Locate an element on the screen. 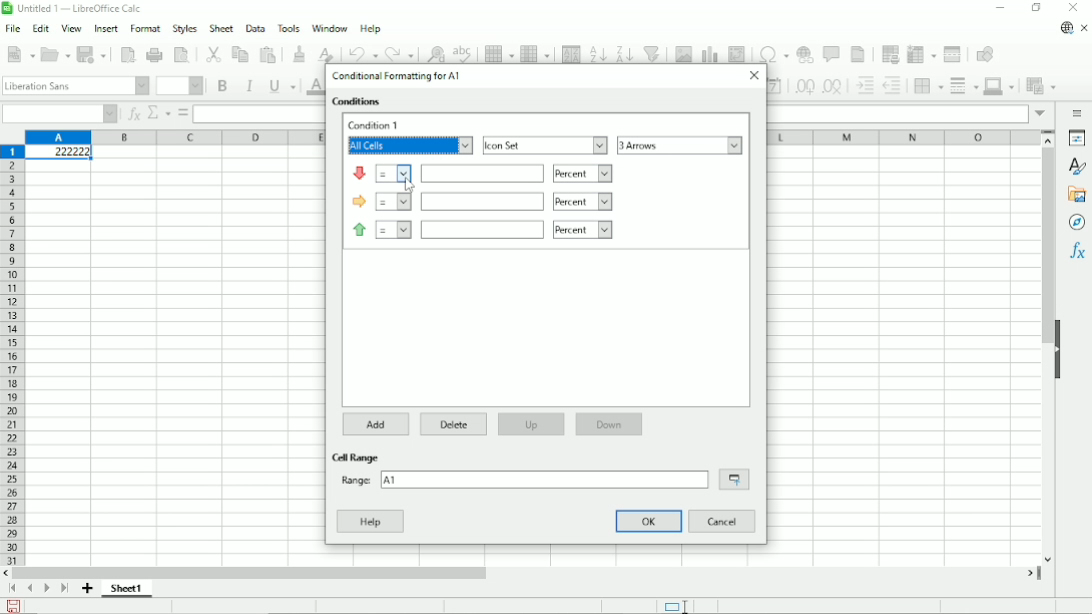 The image size is (1092, 614). Standard selection is located at coordinates (674, 605).